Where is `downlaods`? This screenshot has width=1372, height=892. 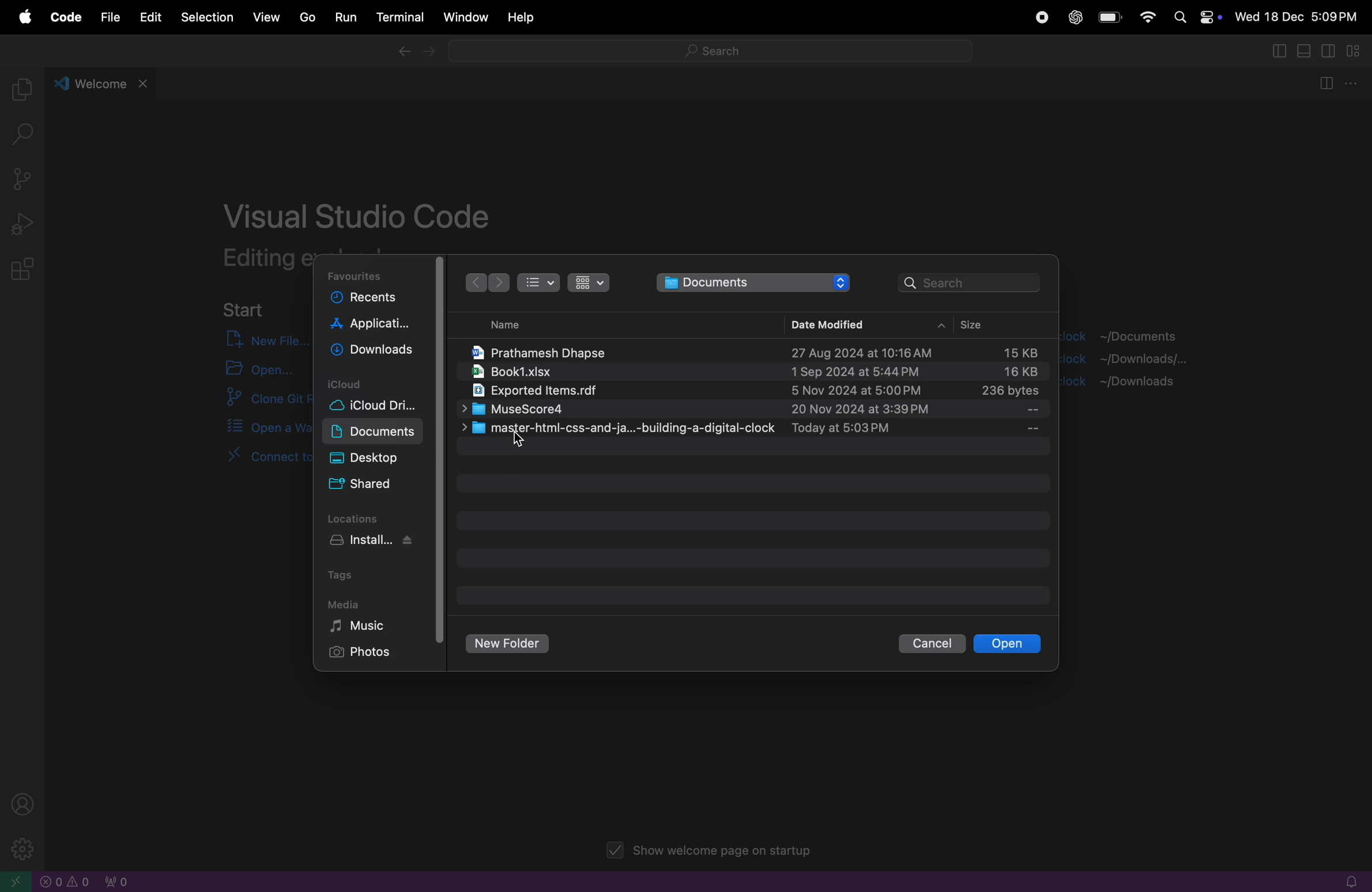 downlaods is located at coordinates (375, 352).